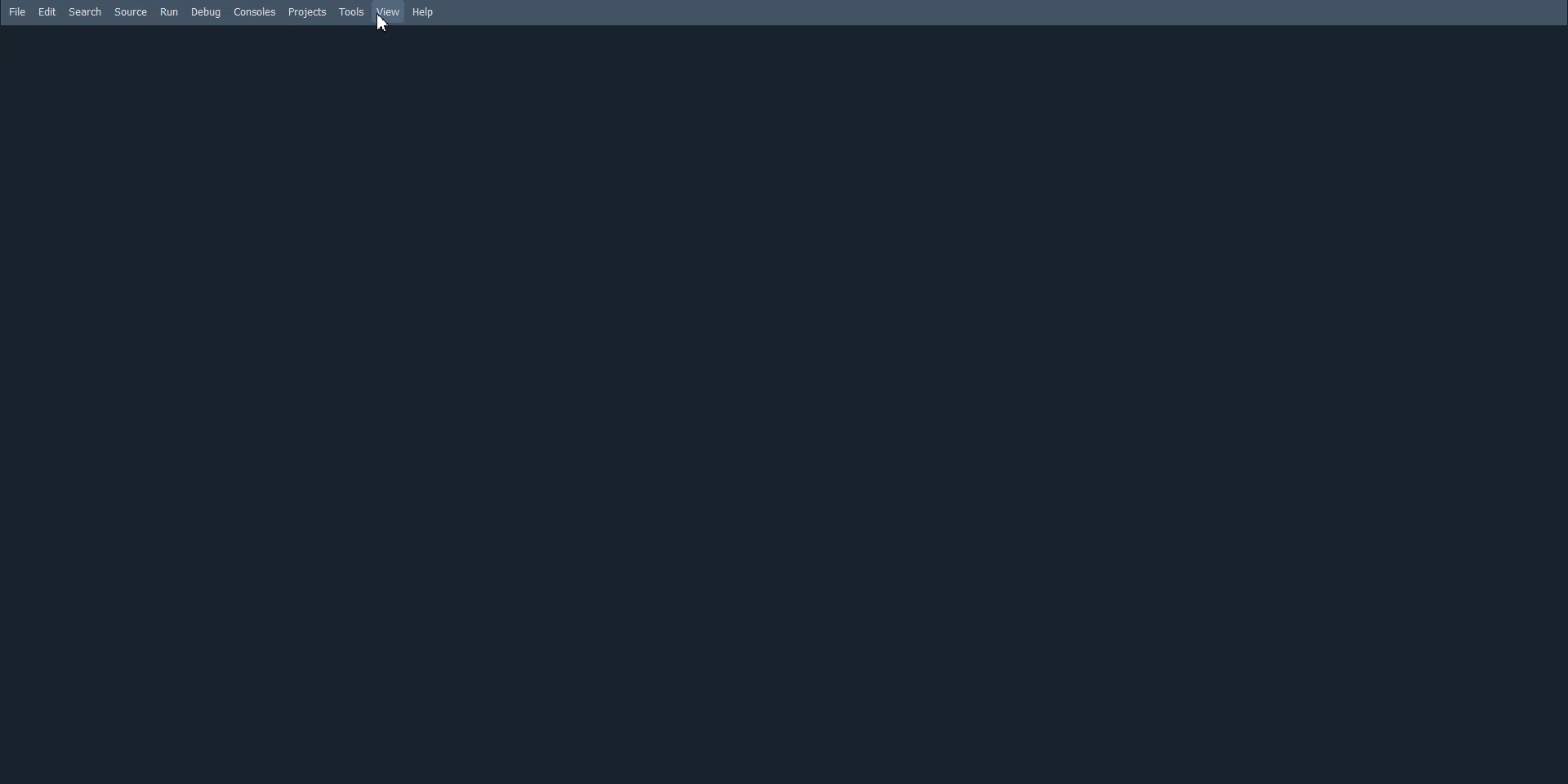 The image size is (1568, 784). I want to click on Default start Pane, so click(784, 403).